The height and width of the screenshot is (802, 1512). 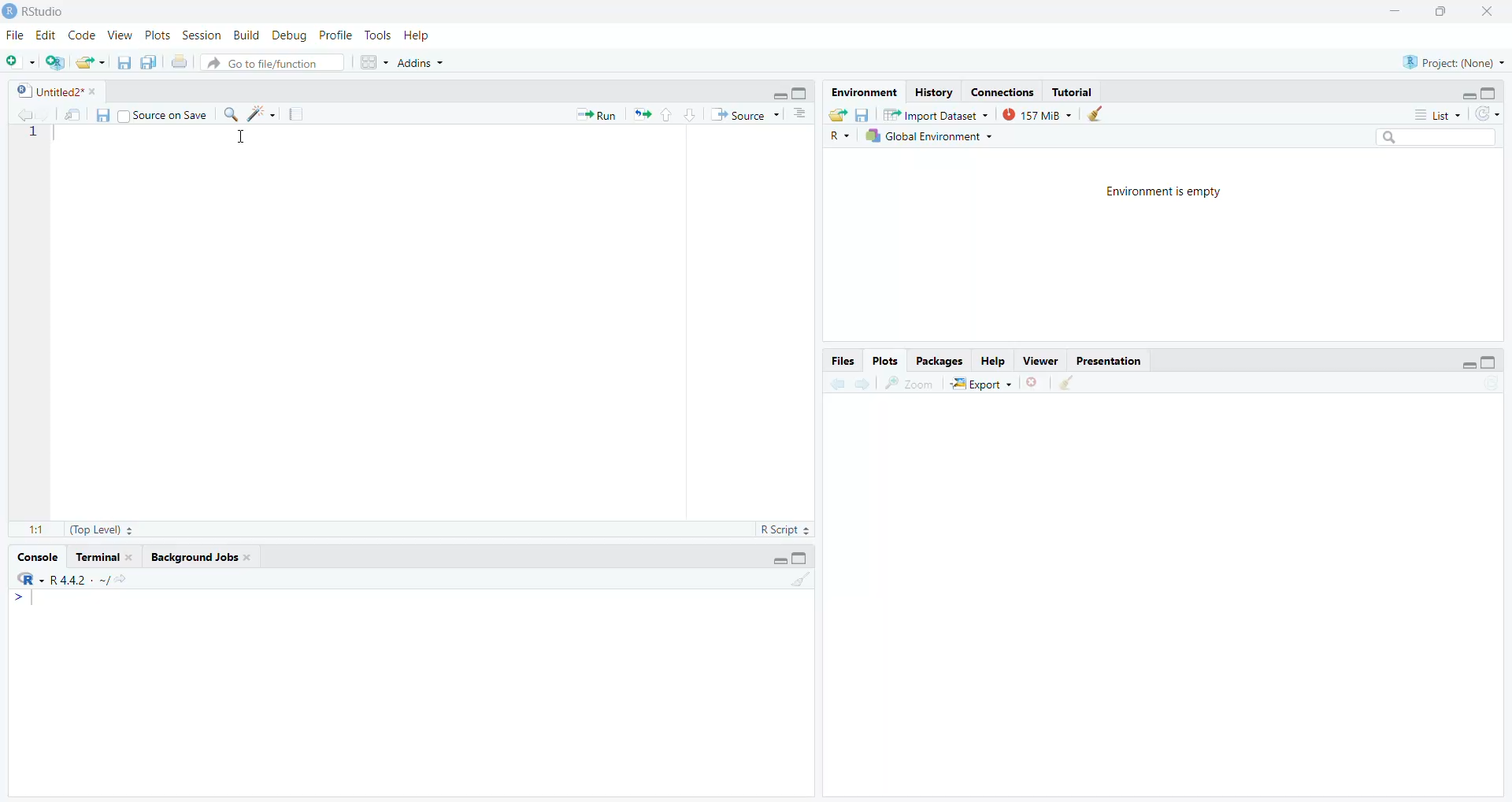 What do you see at coordinates (1436, 136) in the screenshot?
I see `search` at bounding box center [1436, 136].